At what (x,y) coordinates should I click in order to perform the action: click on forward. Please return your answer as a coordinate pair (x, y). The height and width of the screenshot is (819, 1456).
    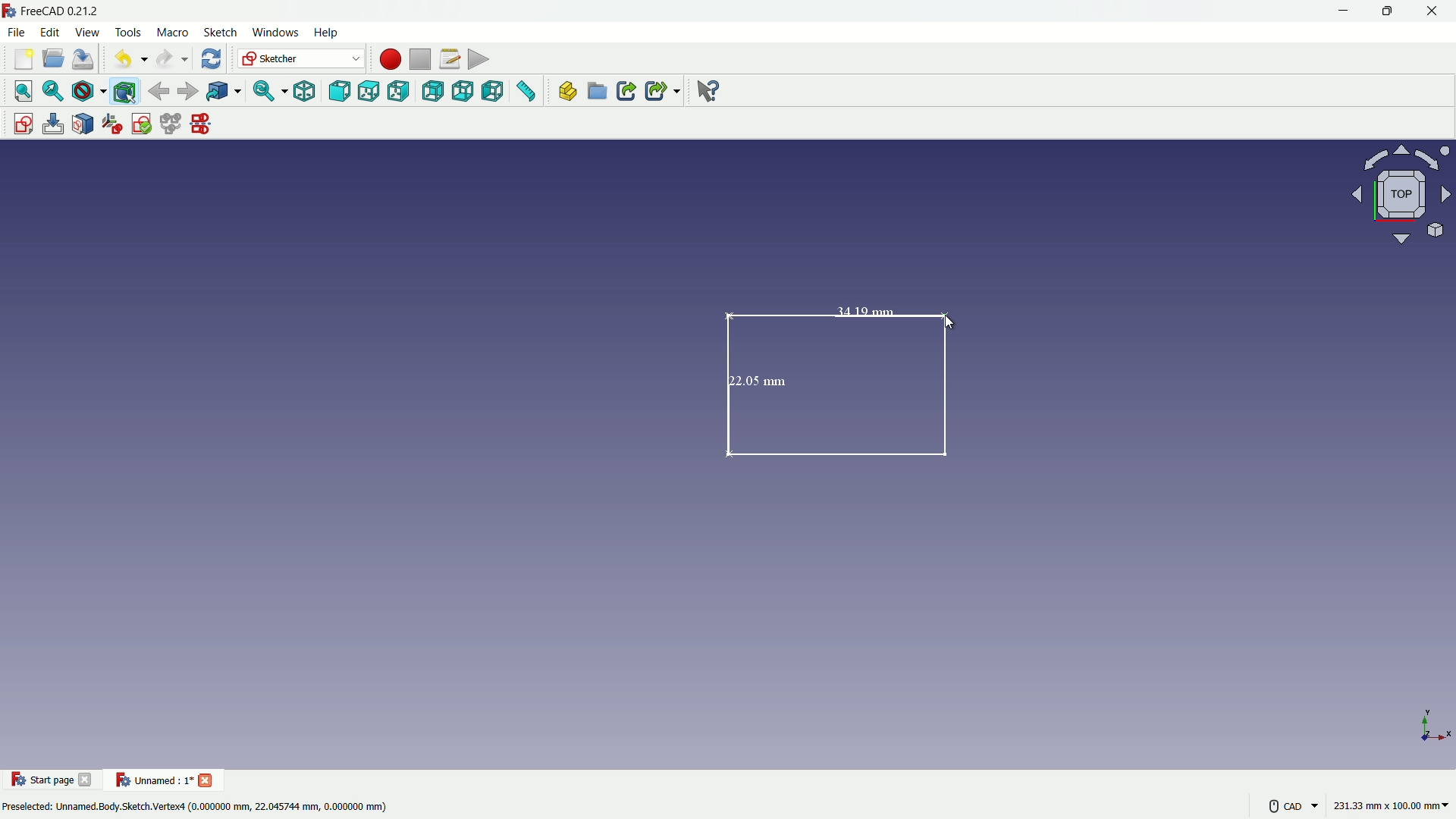
    Looking at the image, I should click on (187, 91).